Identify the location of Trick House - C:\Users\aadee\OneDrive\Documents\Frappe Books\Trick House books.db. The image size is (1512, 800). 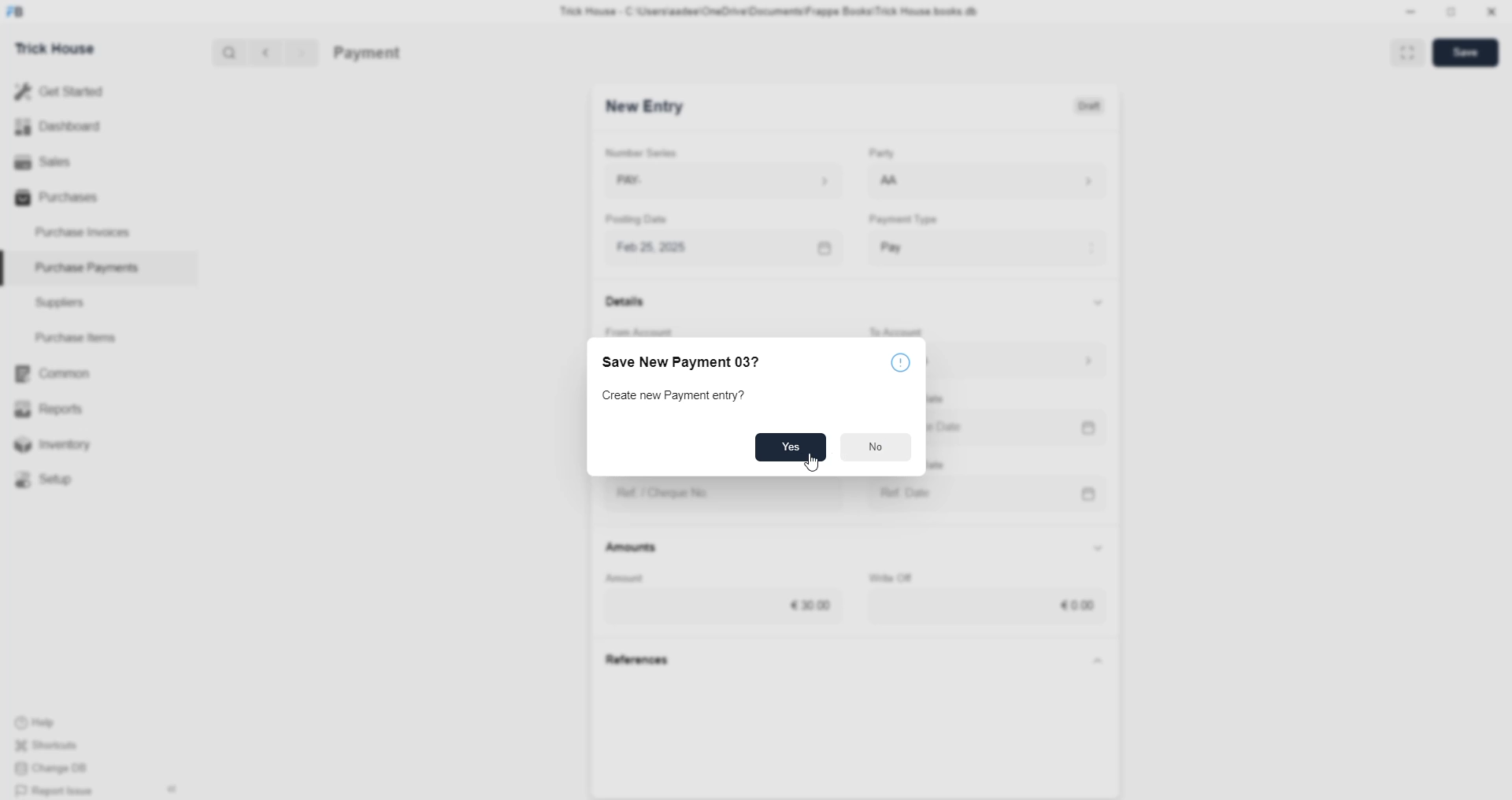
(772, 12).